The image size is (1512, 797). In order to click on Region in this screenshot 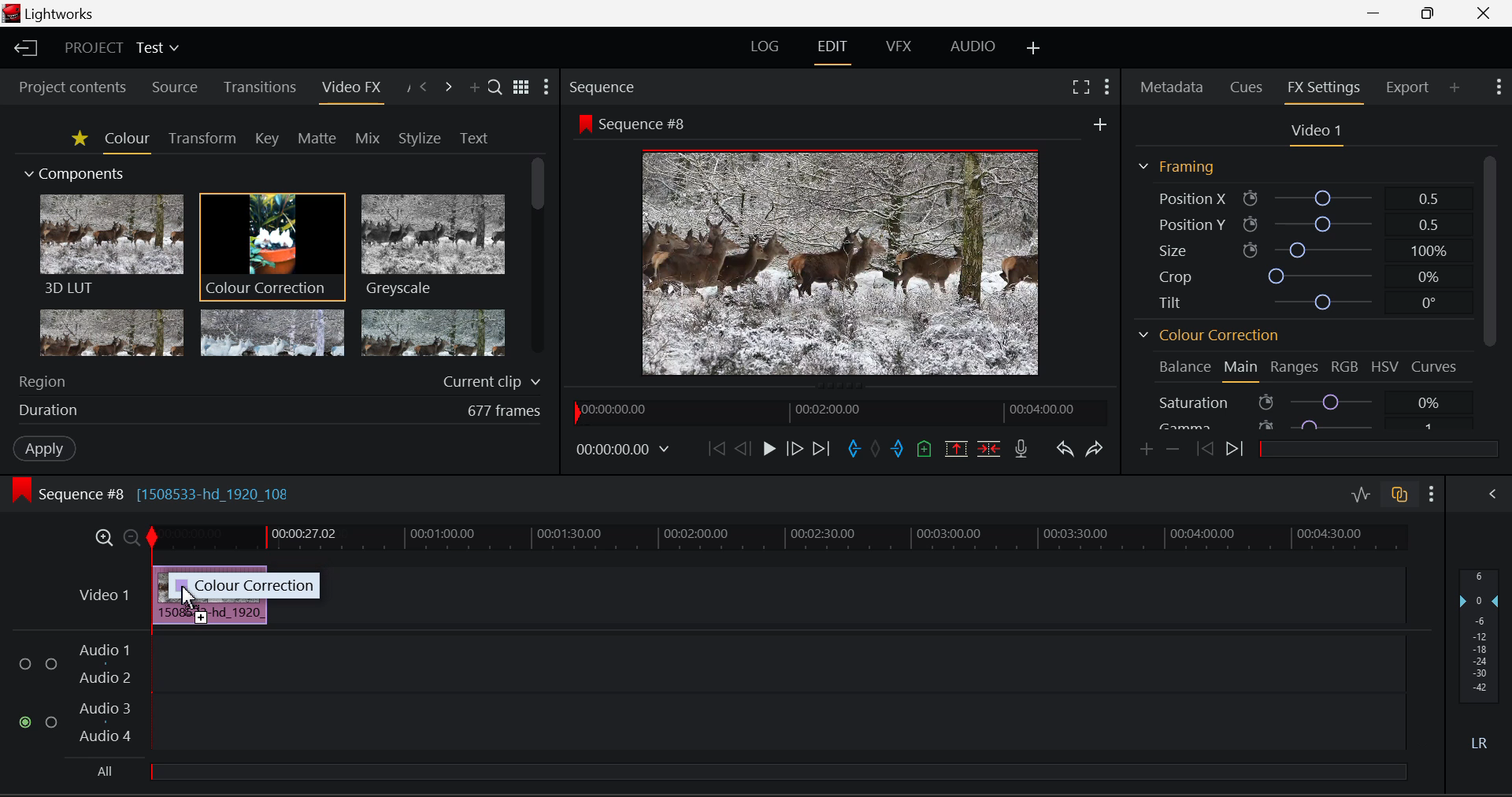, I will do `click(280, 381)`.